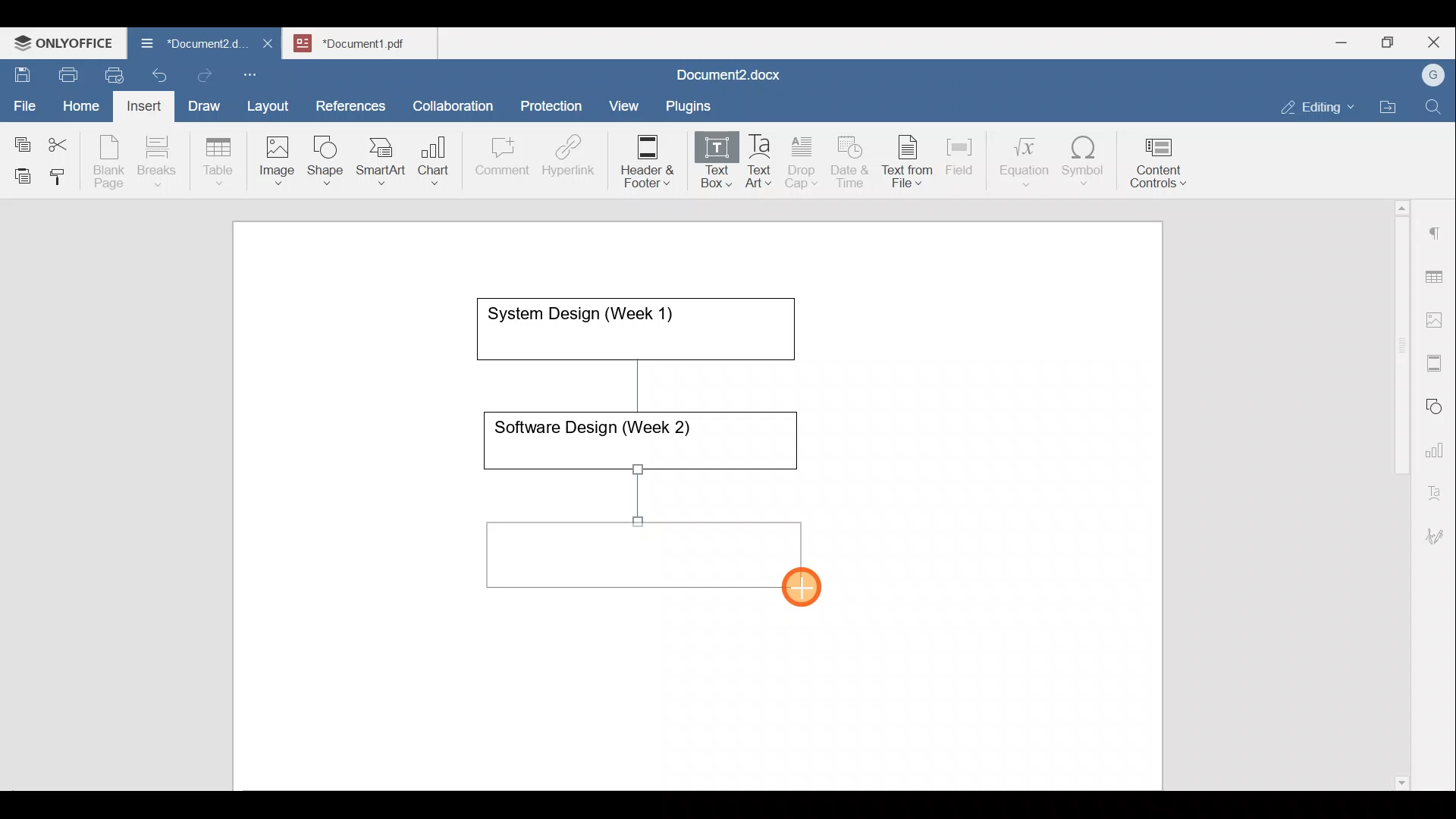  I want to click on Breaks, so click(156, 162).